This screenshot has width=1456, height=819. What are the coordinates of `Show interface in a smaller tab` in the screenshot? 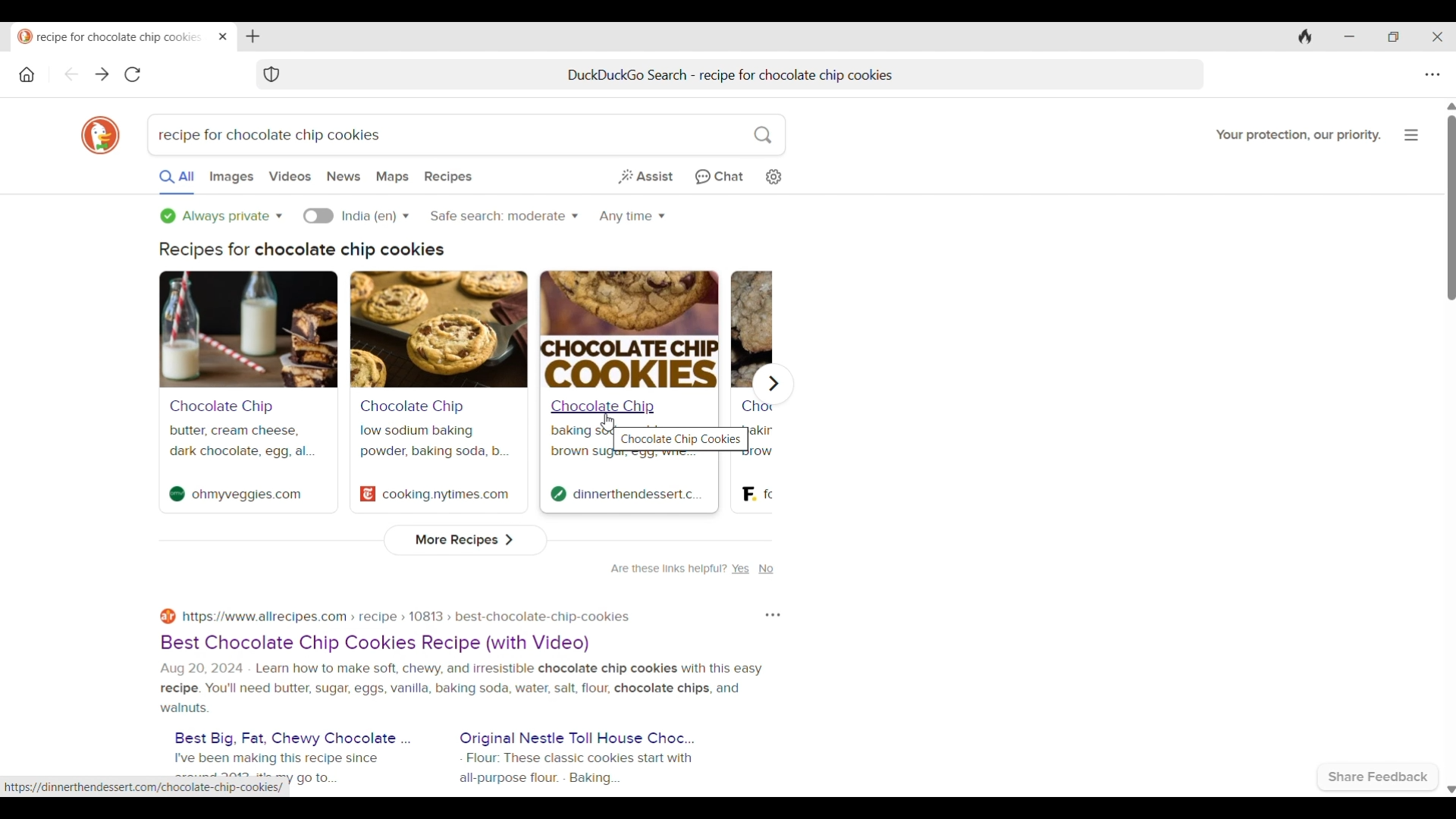 It's located at (1391, 38).